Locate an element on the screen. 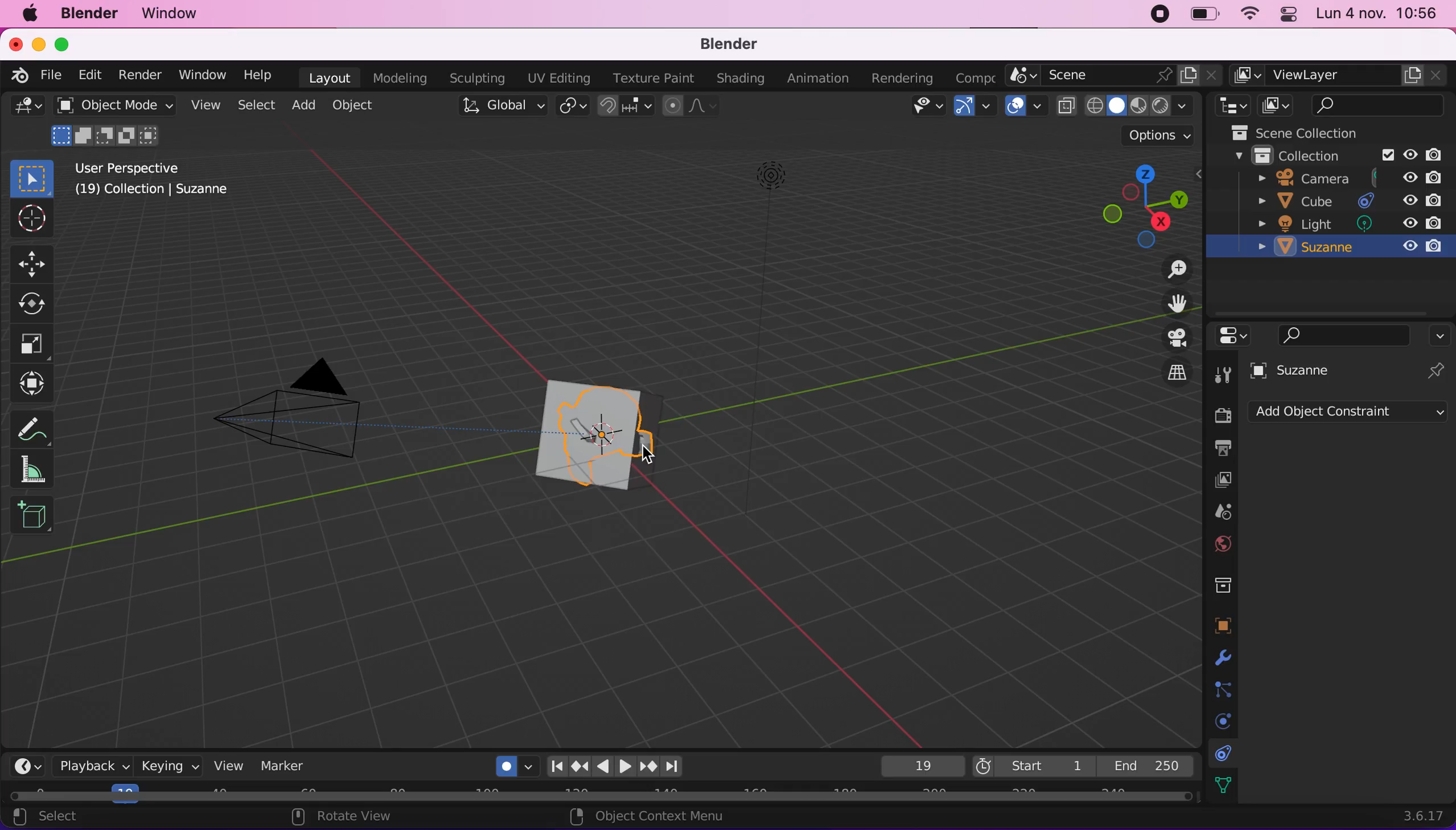  show gizmo is located at coordinates (962, 108).